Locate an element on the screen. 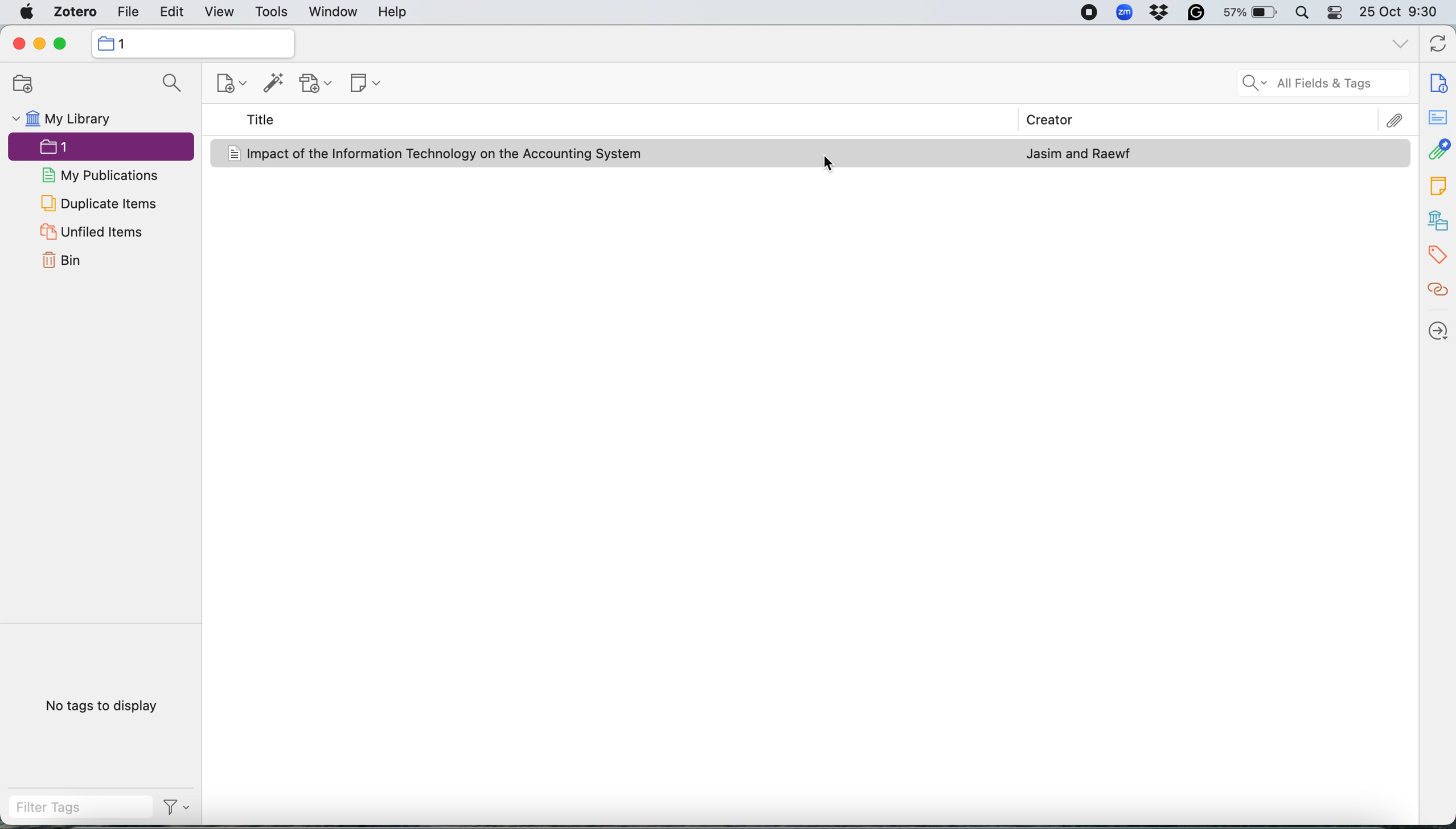 The height and width of the screenshot is (829, 1456). library and collections is located at coordinates (1437, 219).